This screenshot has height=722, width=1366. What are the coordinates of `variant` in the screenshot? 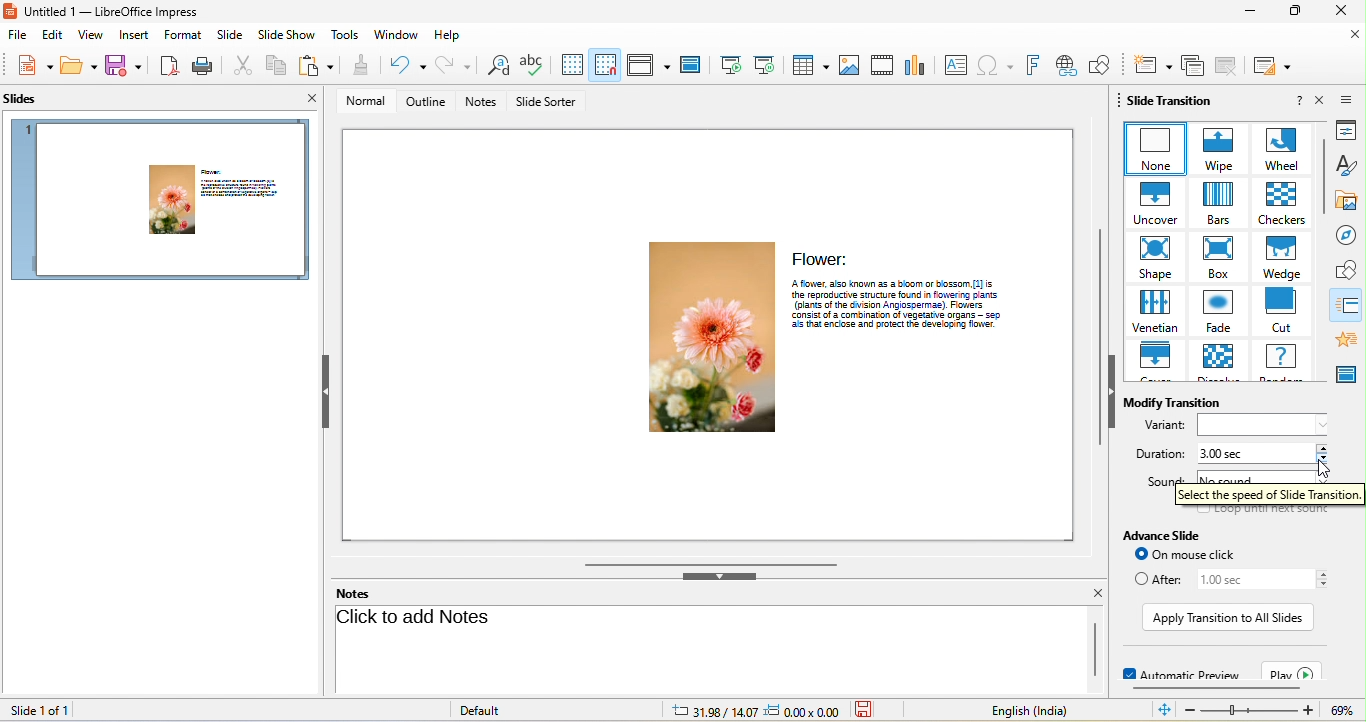 It's located at (1268, 425).